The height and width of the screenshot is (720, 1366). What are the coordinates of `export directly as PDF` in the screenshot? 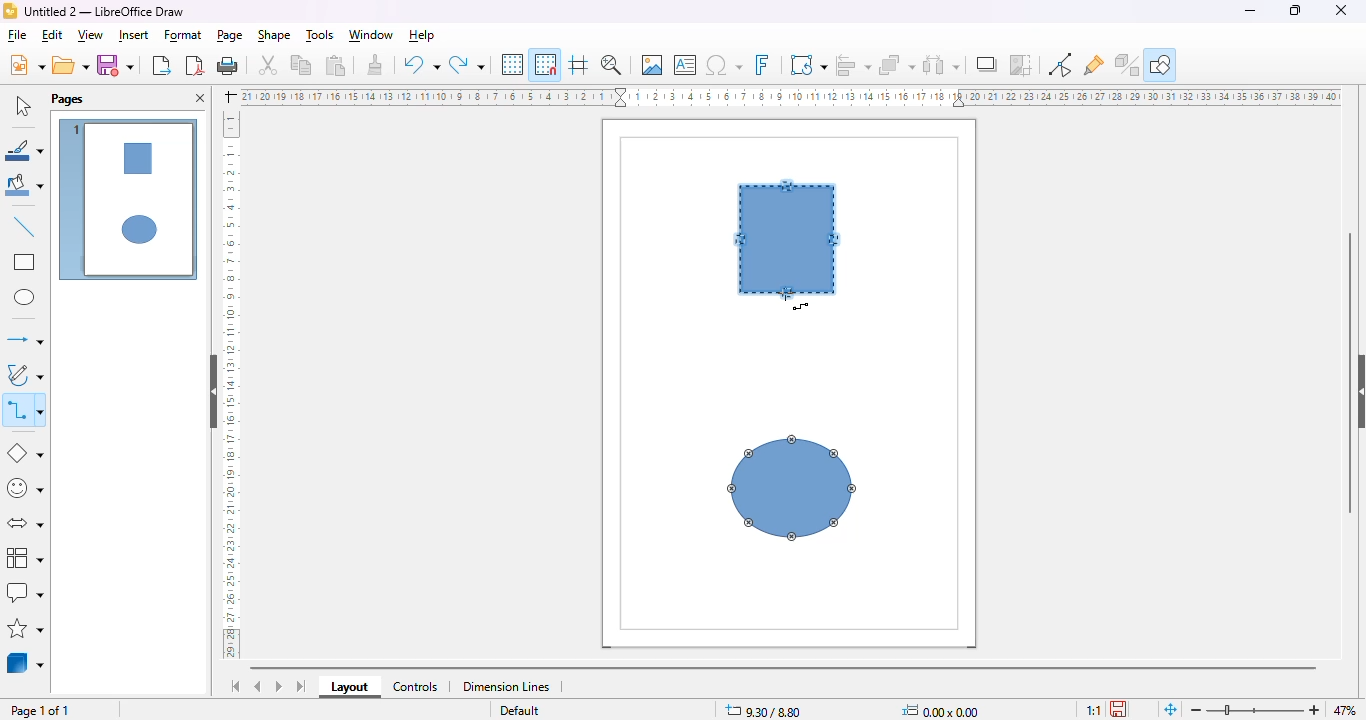 It's located at (196, 65).